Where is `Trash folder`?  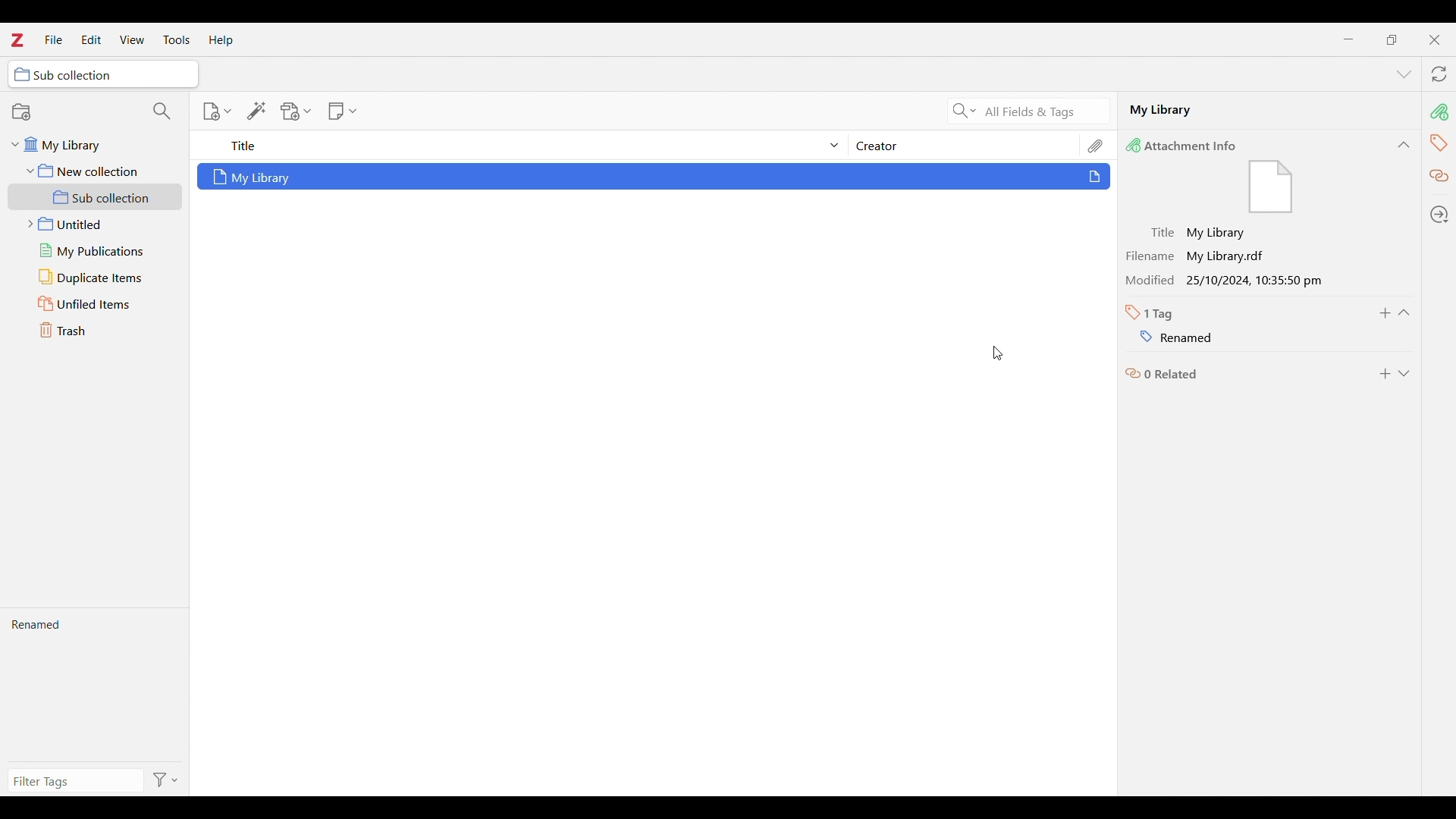 Trash folder is located at coordinates (95, 330).